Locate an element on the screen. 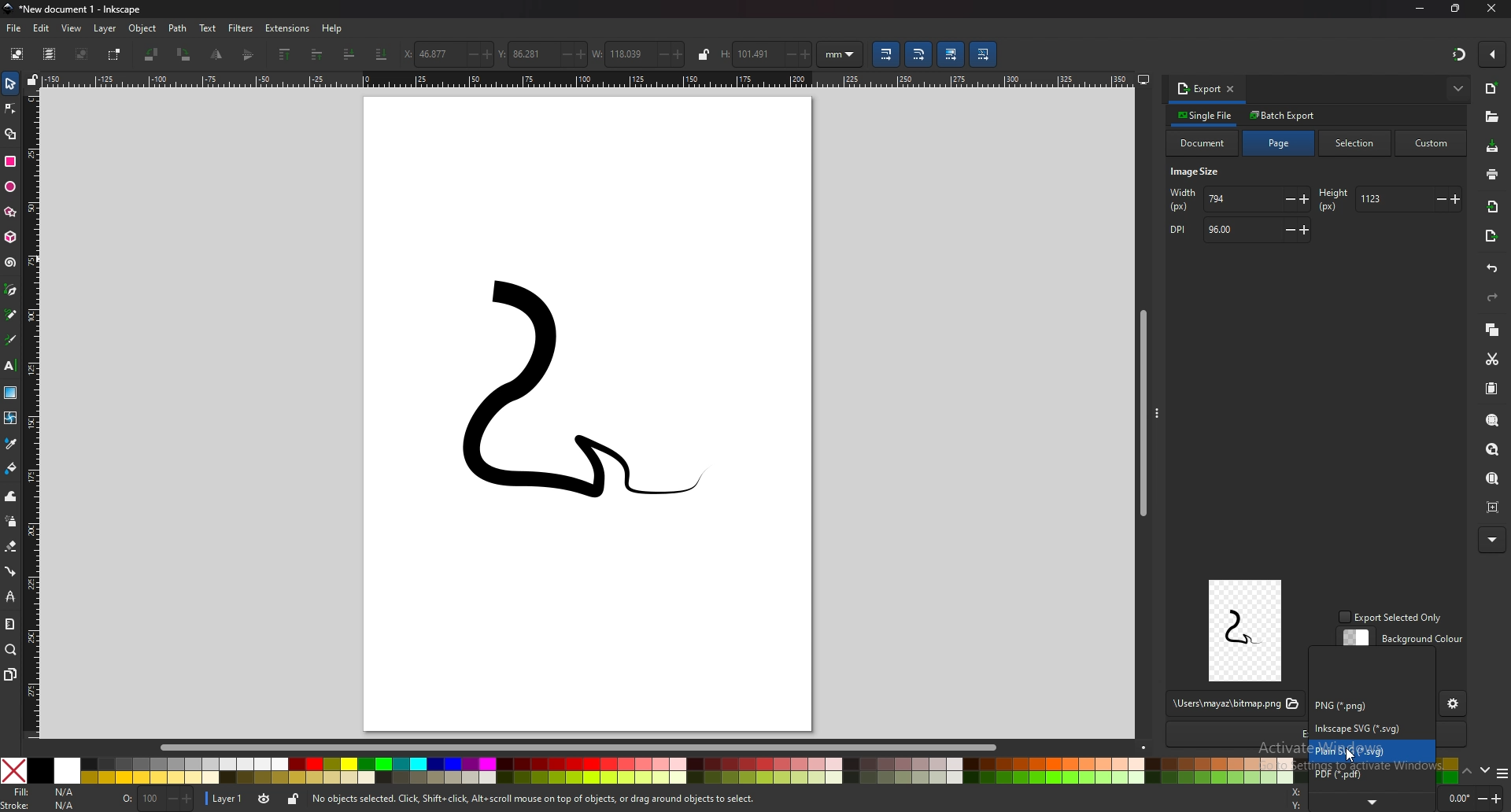 The height and width of the screenshot is (812, 1511). title is located at coordinates (78, 9).